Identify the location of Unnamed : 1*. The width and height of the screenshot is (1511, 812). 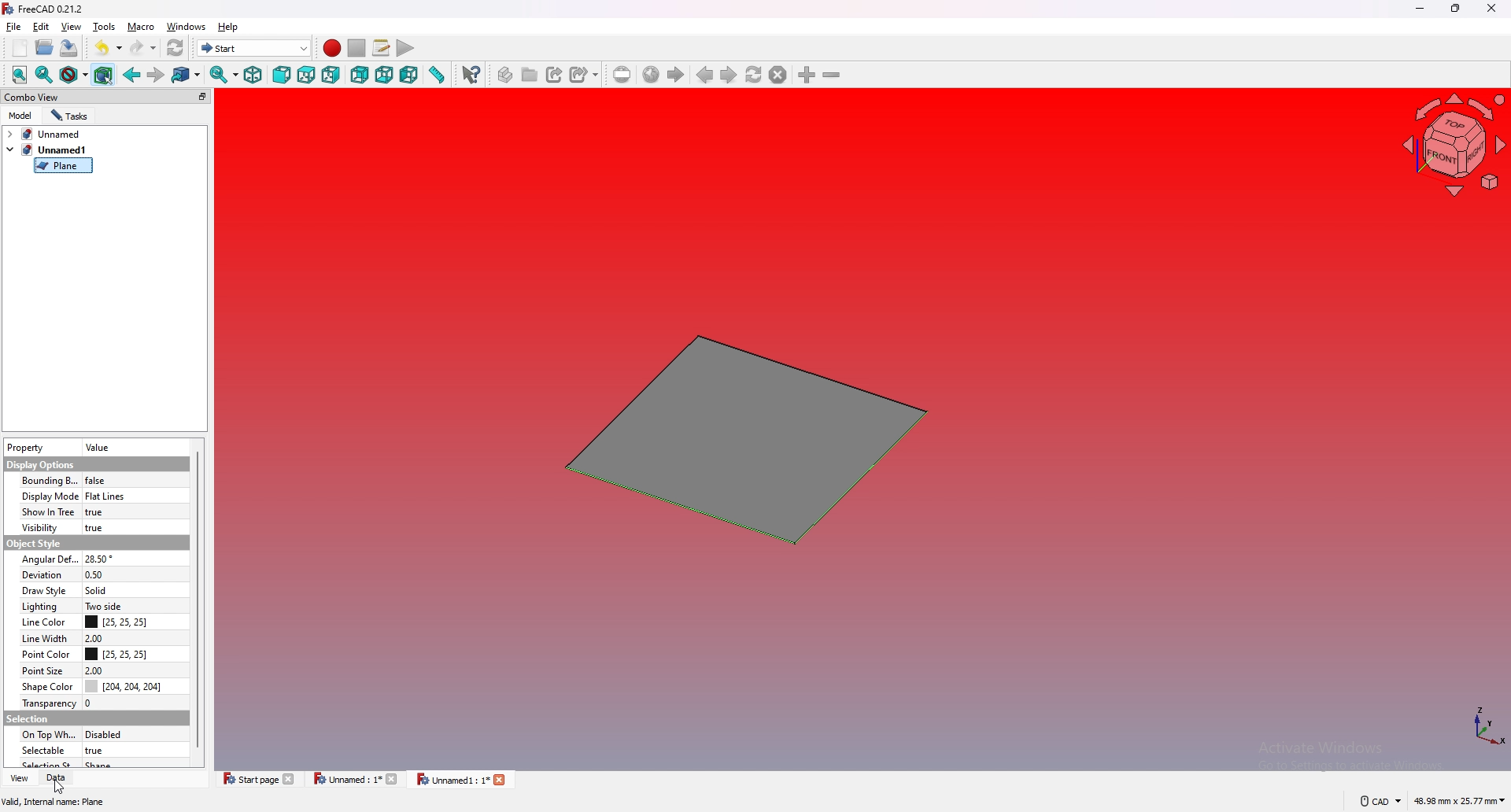
(356, 779).